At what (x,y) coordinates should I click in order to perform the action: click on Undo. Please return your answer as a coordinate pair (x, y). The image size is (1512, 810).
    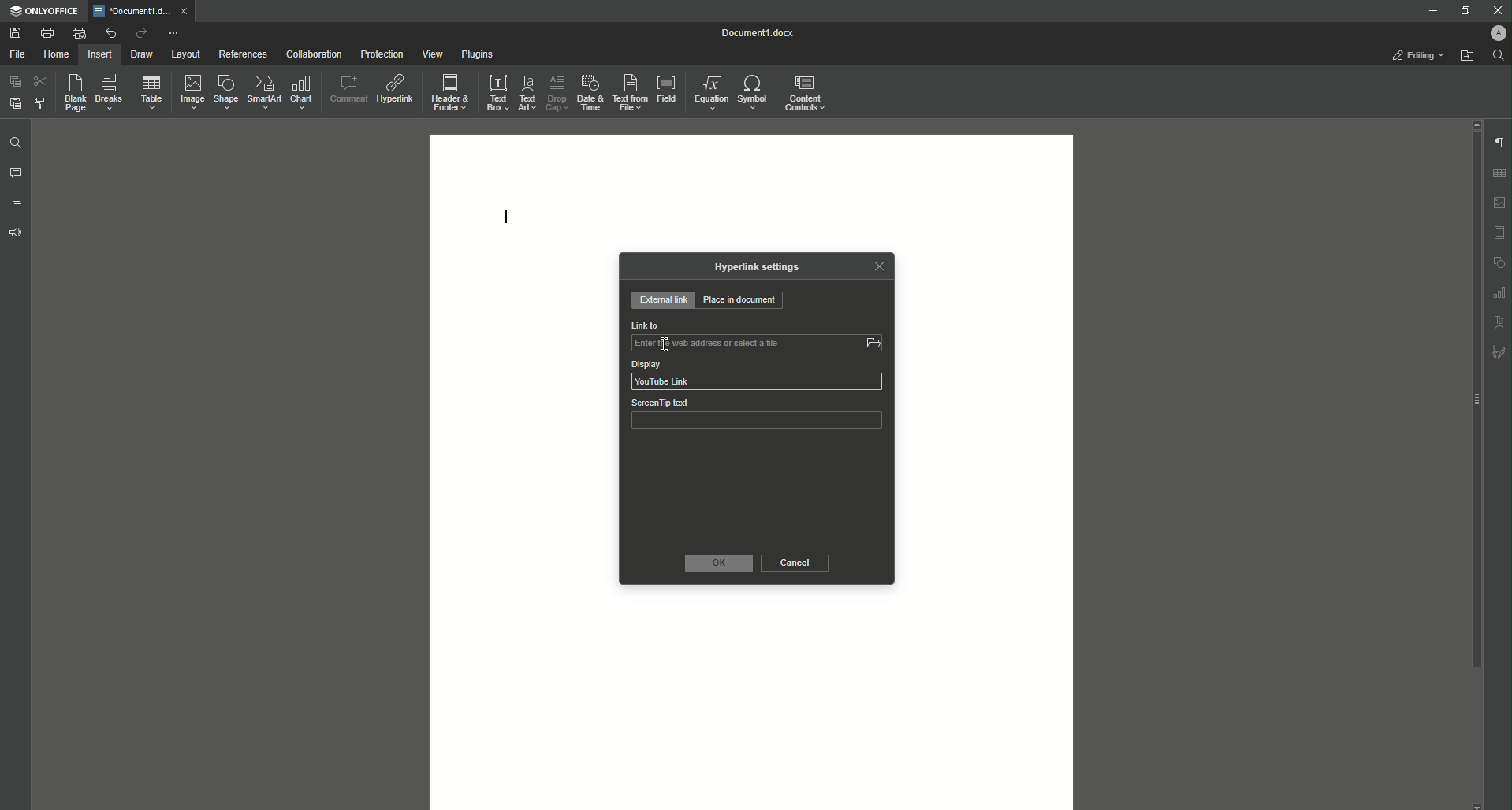
    Looking at the image, I should click on (110, 32).